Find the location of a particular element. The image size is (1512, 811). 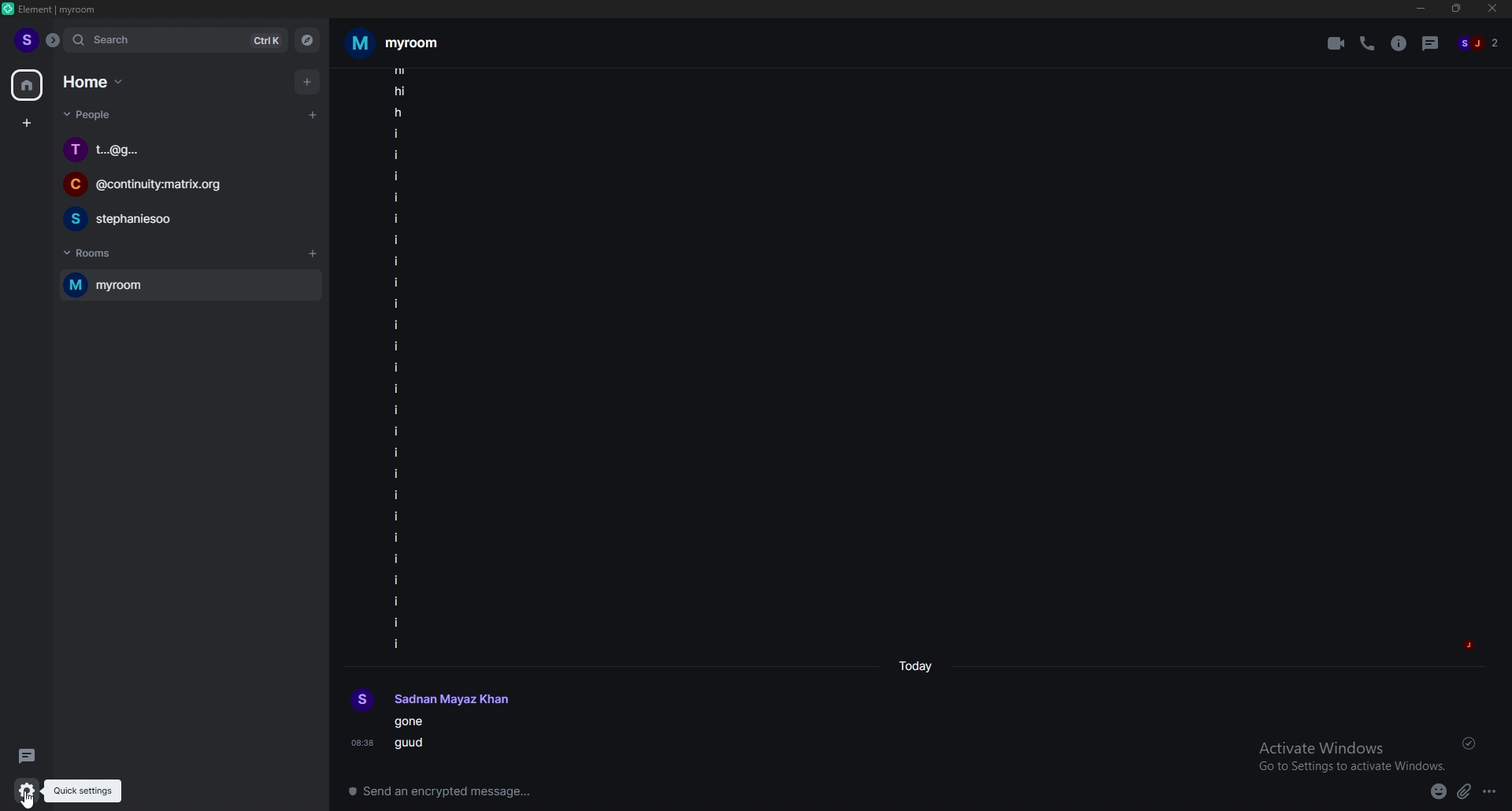

resize is located at coordinates (1458, 9).